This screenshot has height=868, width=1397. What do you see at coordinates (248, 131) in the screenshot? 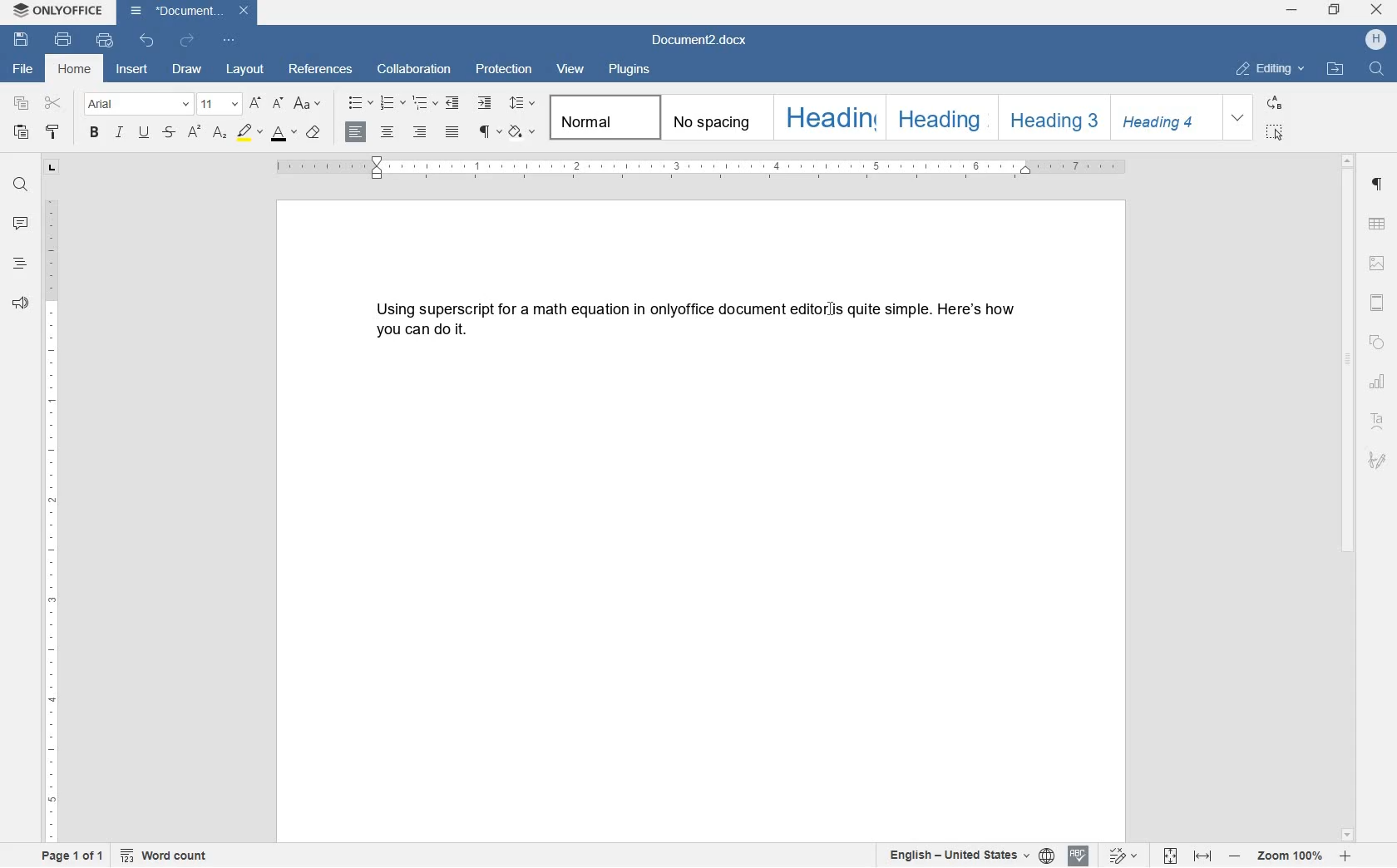
I see `highlight color` at bounding box center [248, 131].